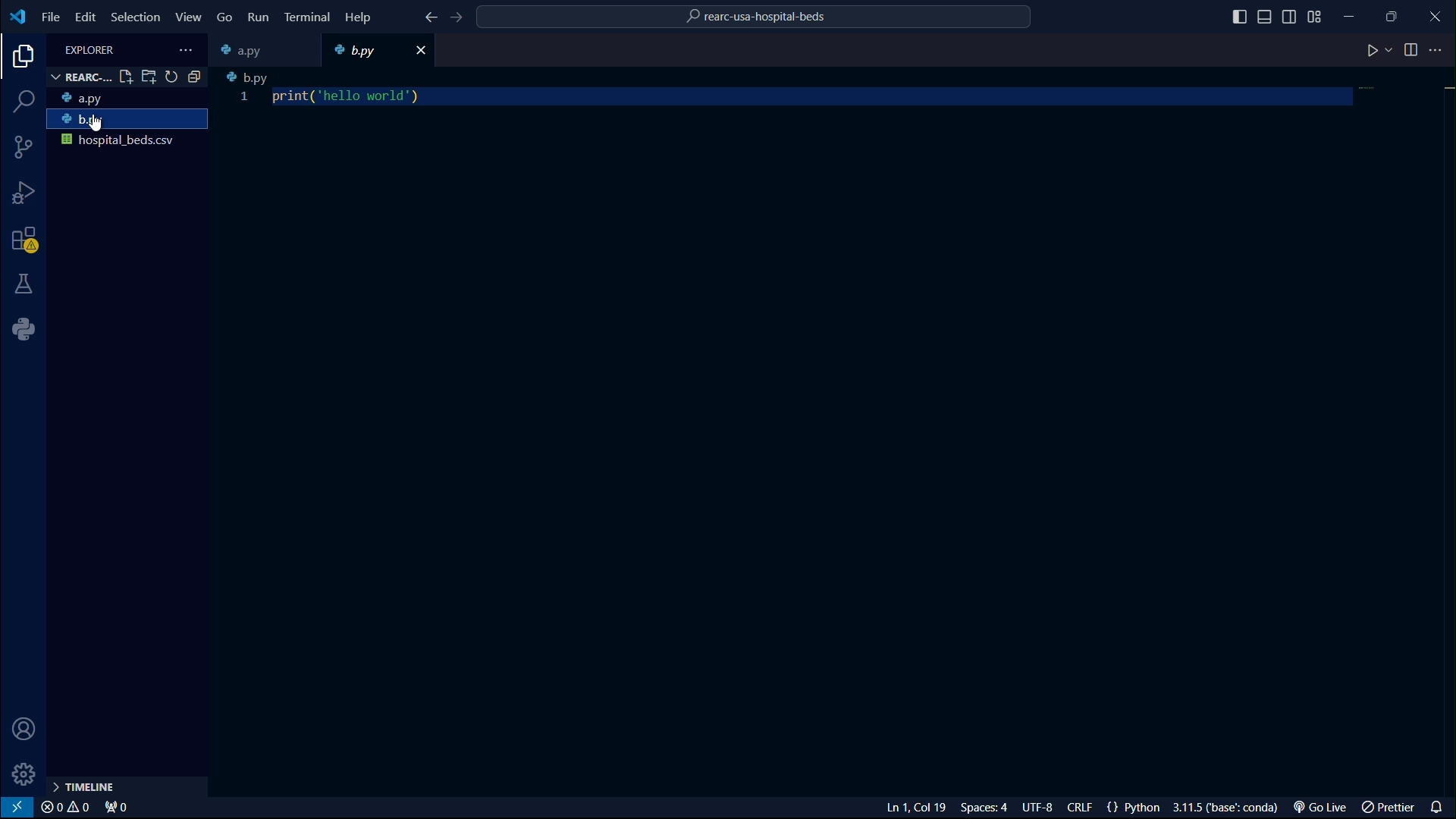 This screenshot has height=819, width=1456. What do you see at coordinates (918, 808) in the screenshot?
I see `Ln 1, Col 22` at bounding box center [918, 808].